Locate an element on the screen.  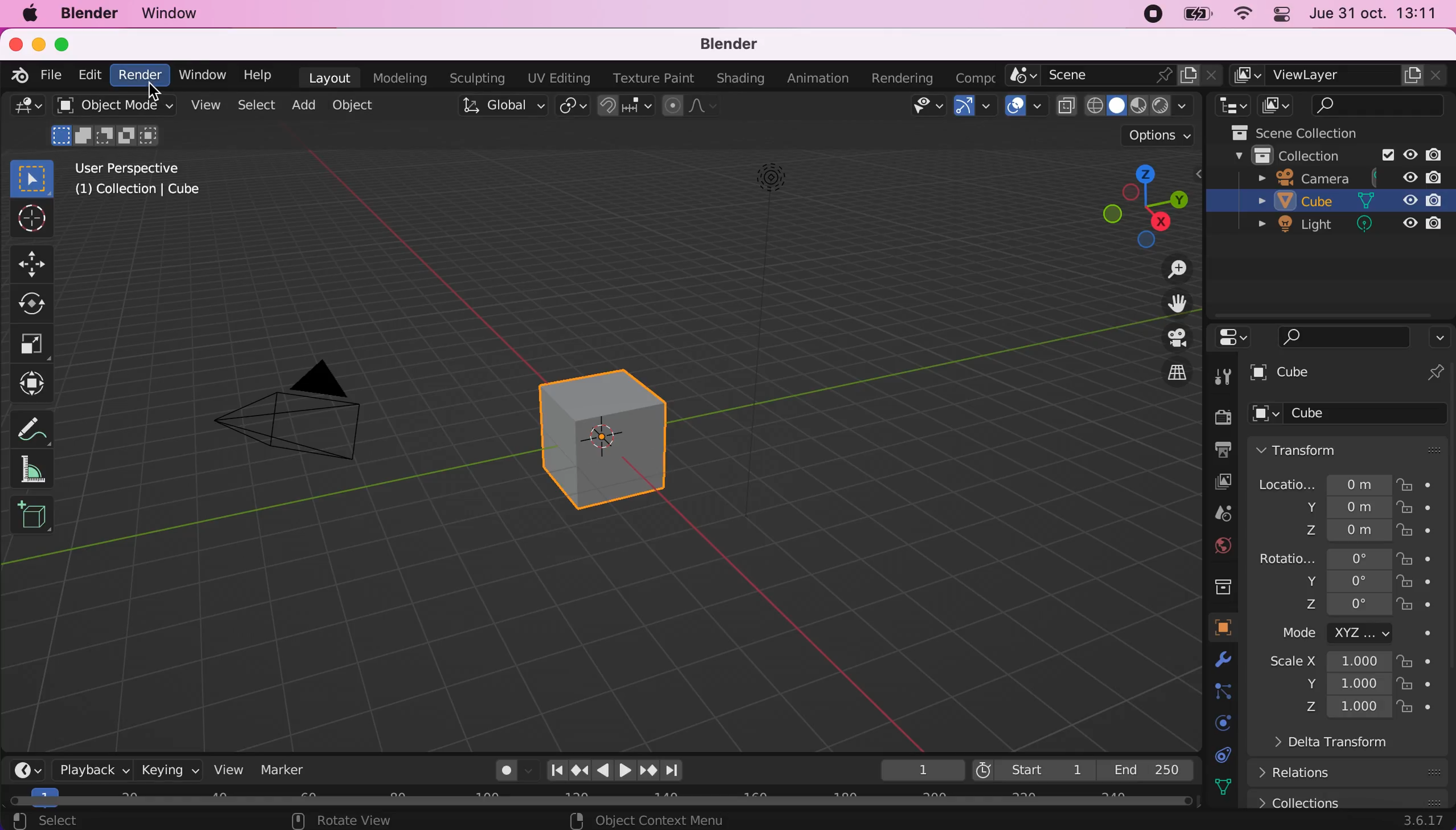
battery is located at coordinates (1200, 15).